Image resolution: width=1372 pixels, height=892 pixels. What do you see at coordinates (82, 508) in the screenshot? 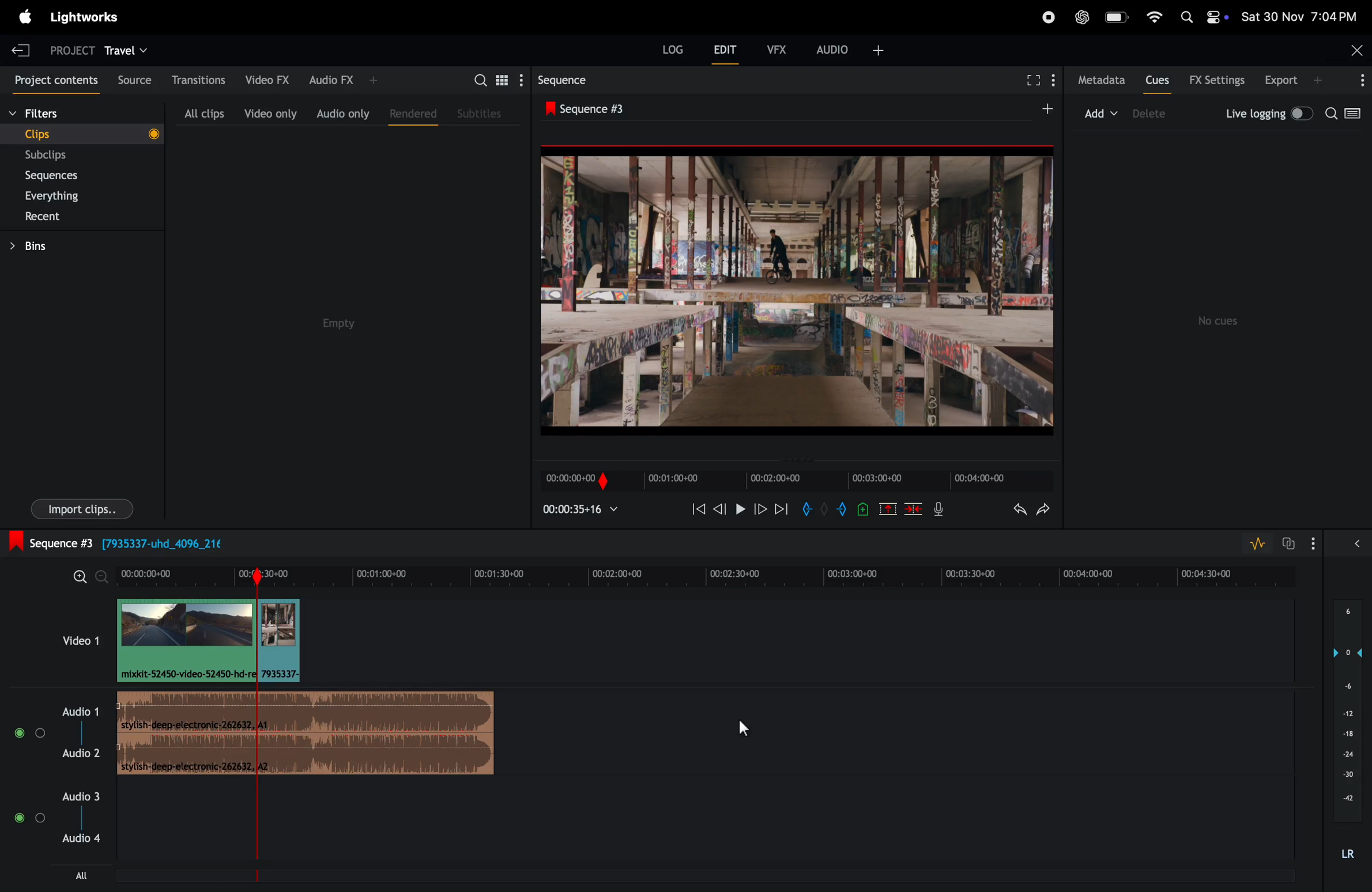
I see `import clips` at bounding box center [82, 508].